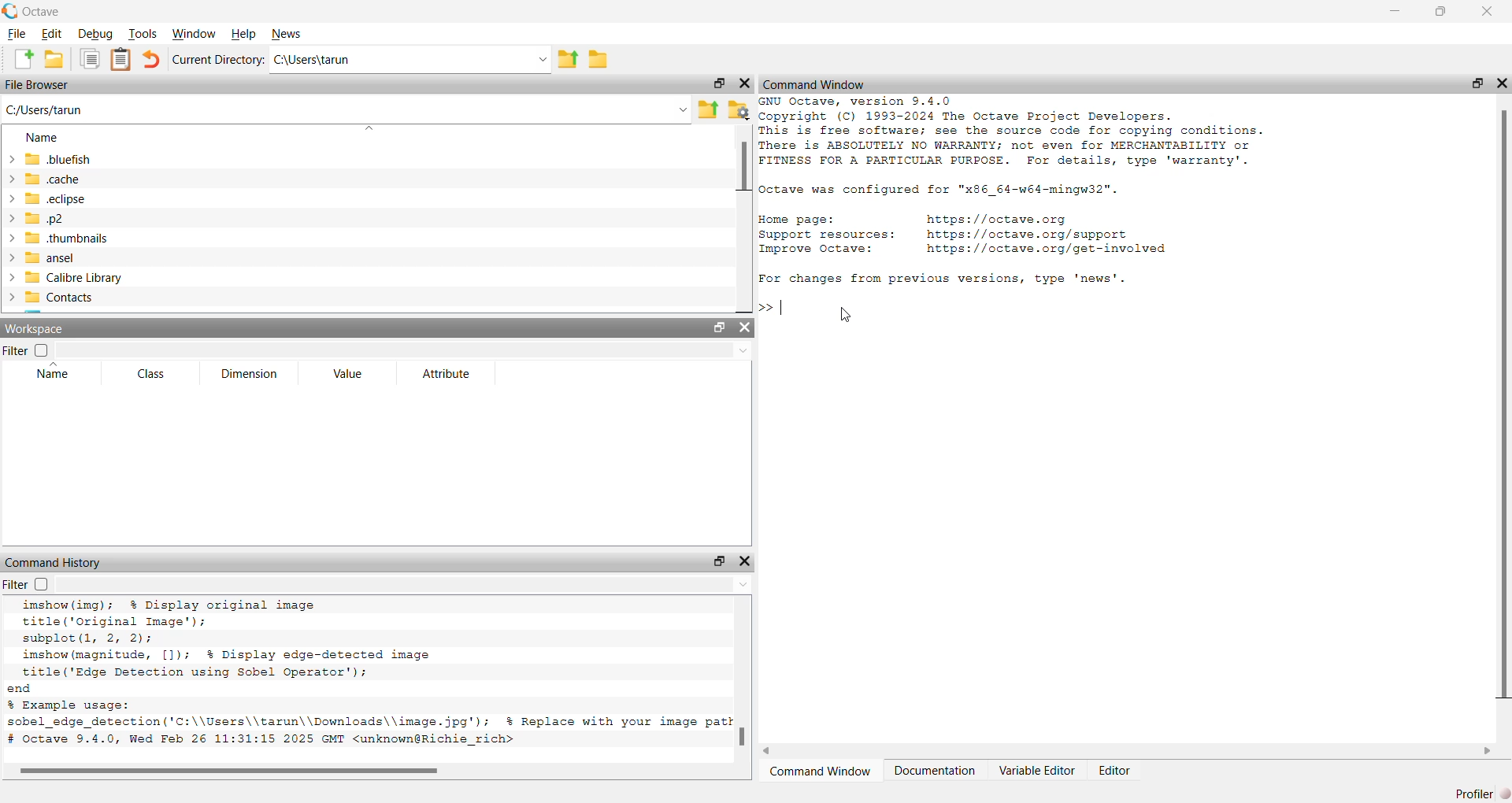 The height and width of the screenshot is (803, 1512). What do you see at coordinates (42, 220) in the screenshot?
I see `p2` at bounding box center [42, 220].